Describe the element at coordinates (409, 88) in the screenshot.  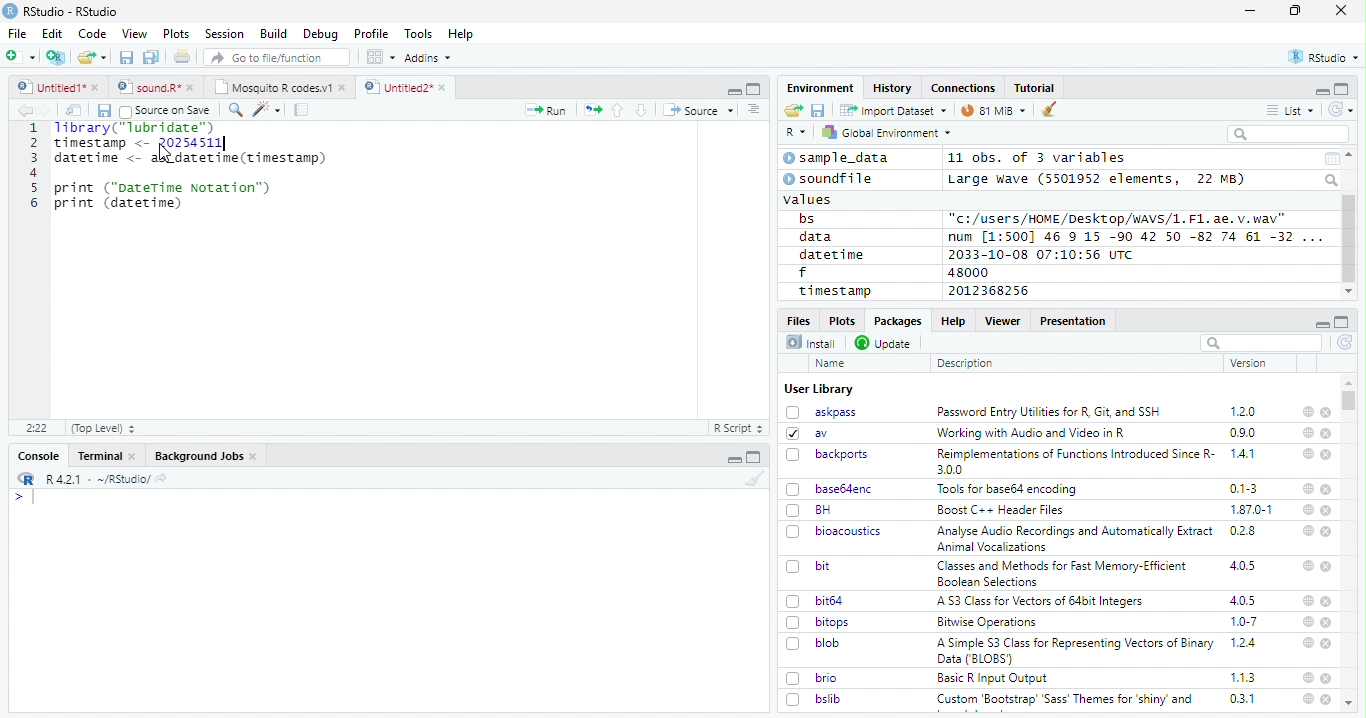
I see `Untitled2*` at that location.